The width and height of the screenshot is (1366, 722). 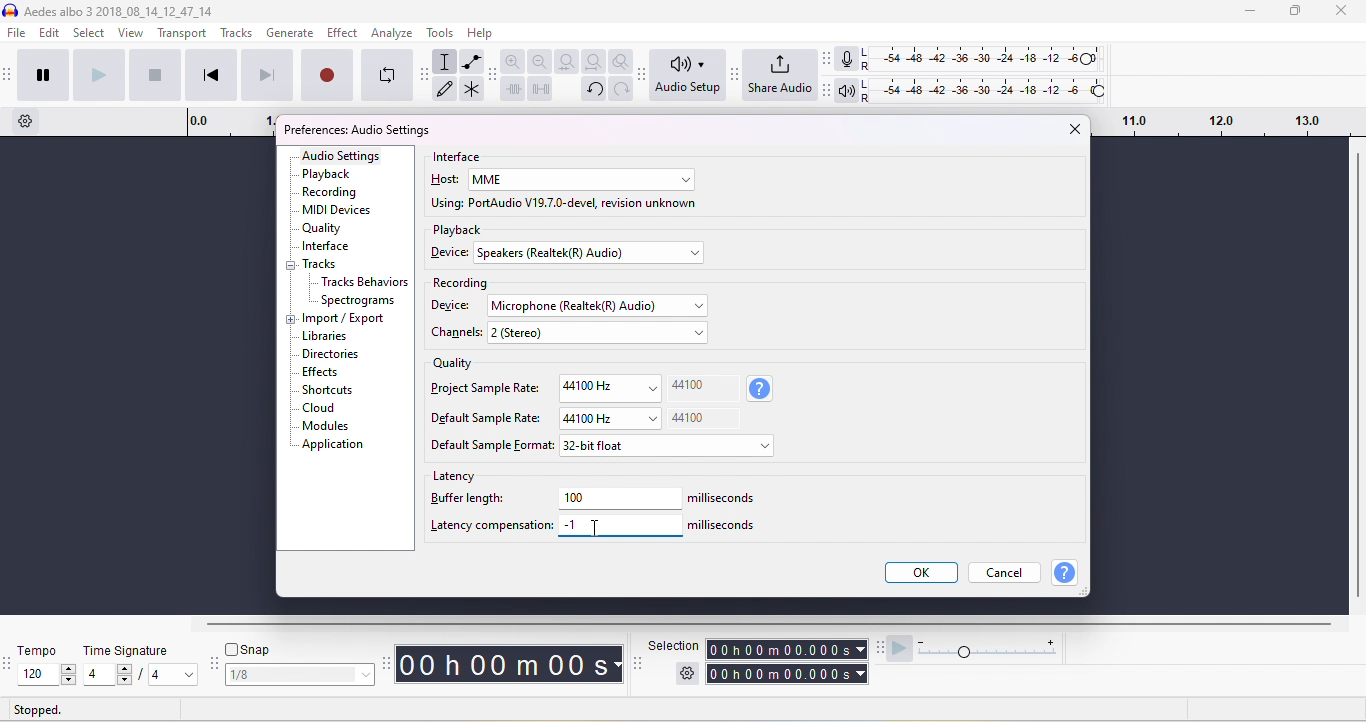 What do you see at coordinates (761, 389) in the screenshot?
I see `sample rate information` at bounding box center [761, 389].